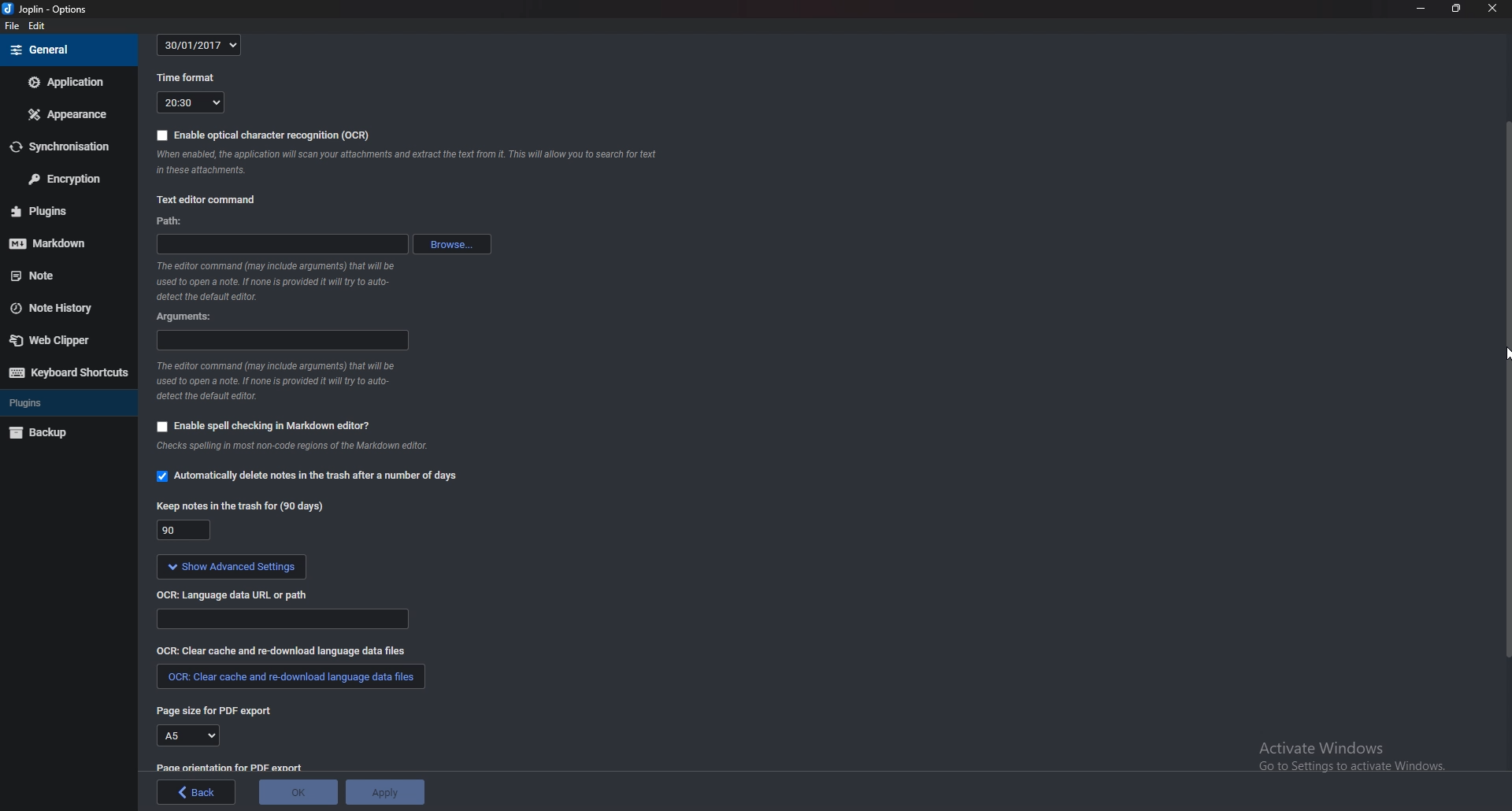 The width and height of the screenshot is (1512, 811). I want to click on , so click(1503, 357).